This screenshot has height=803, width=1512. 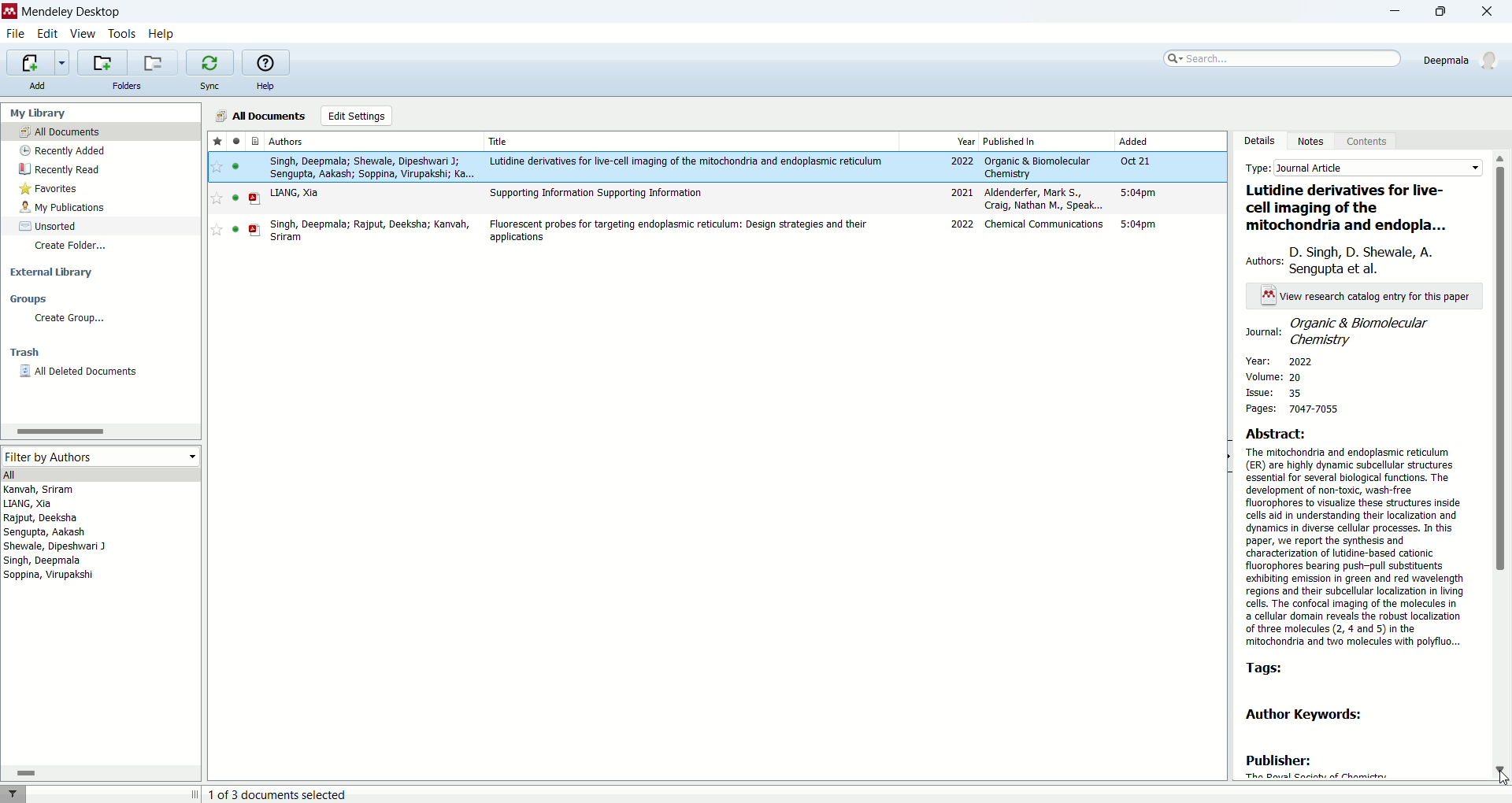 I want to click on favorite, so click(x=217, y=198).